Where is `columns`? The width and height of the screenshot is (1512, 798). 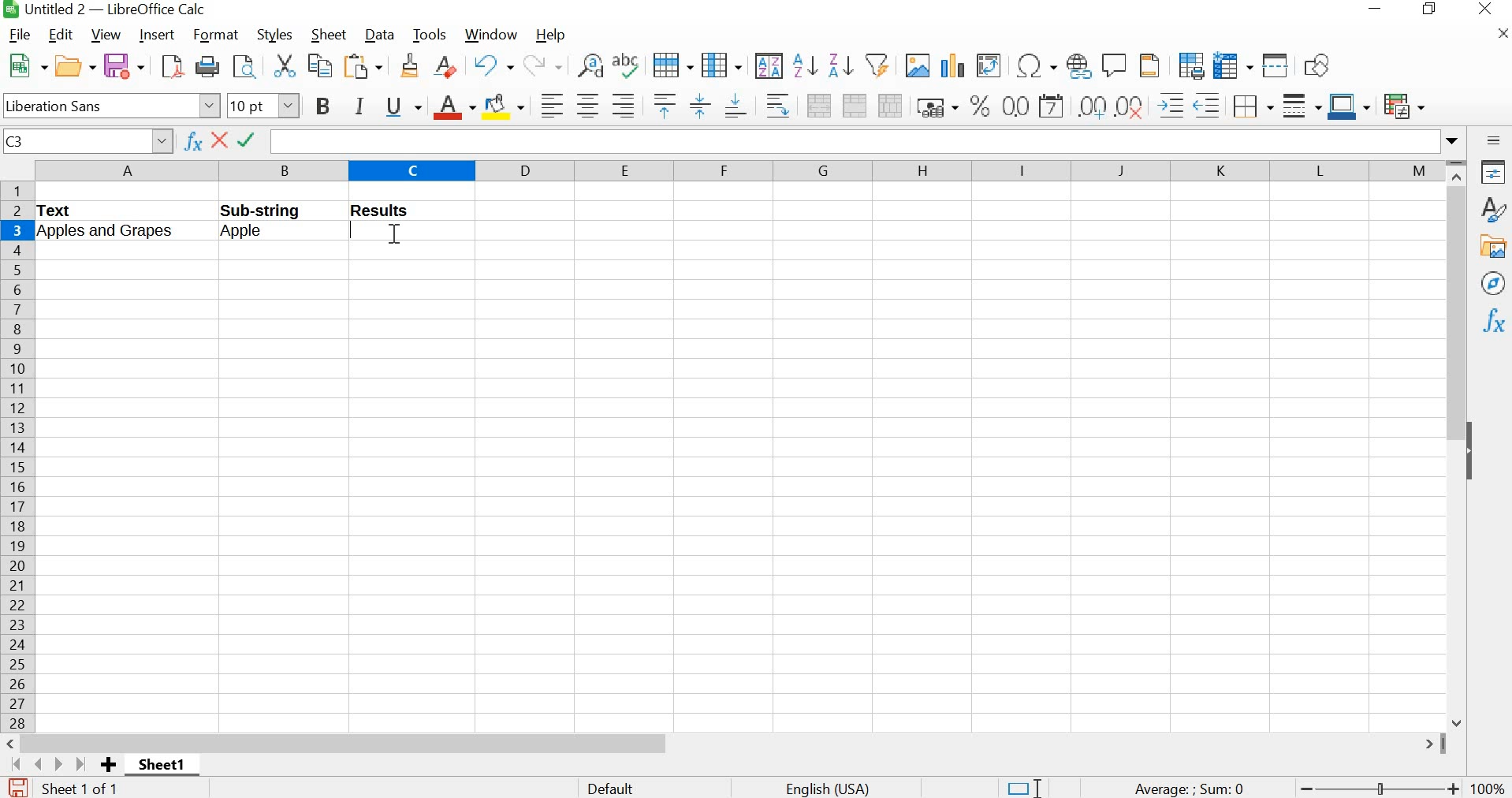 columns is located at coordinates (736, 170).